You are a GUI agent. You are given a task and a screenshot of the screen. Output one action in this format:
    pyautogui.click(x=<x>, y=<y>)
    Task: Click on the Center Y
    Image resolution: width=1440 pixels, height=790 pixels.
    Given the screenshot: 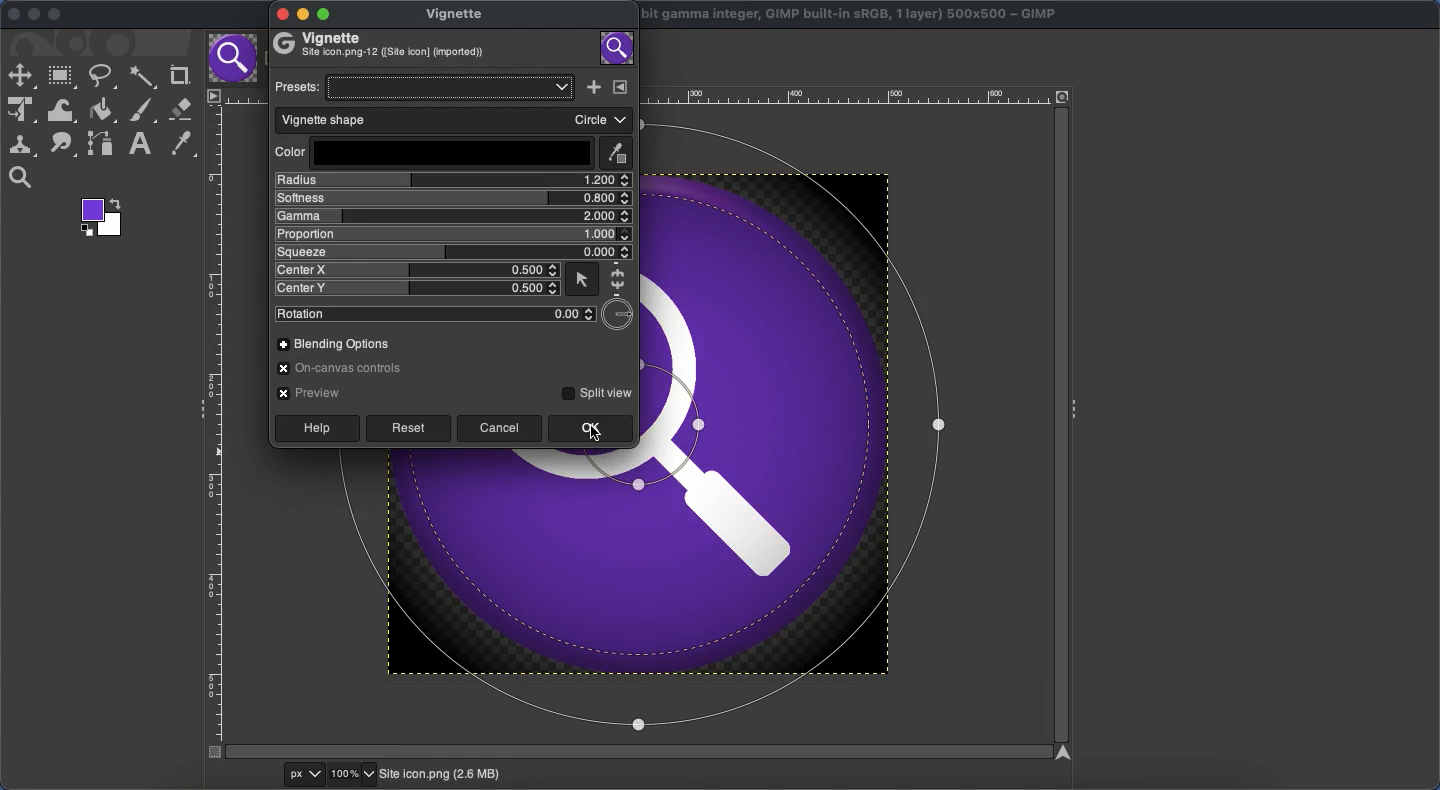 What is the action you would take?
    pyautogui.click(x=417, y=287)
    